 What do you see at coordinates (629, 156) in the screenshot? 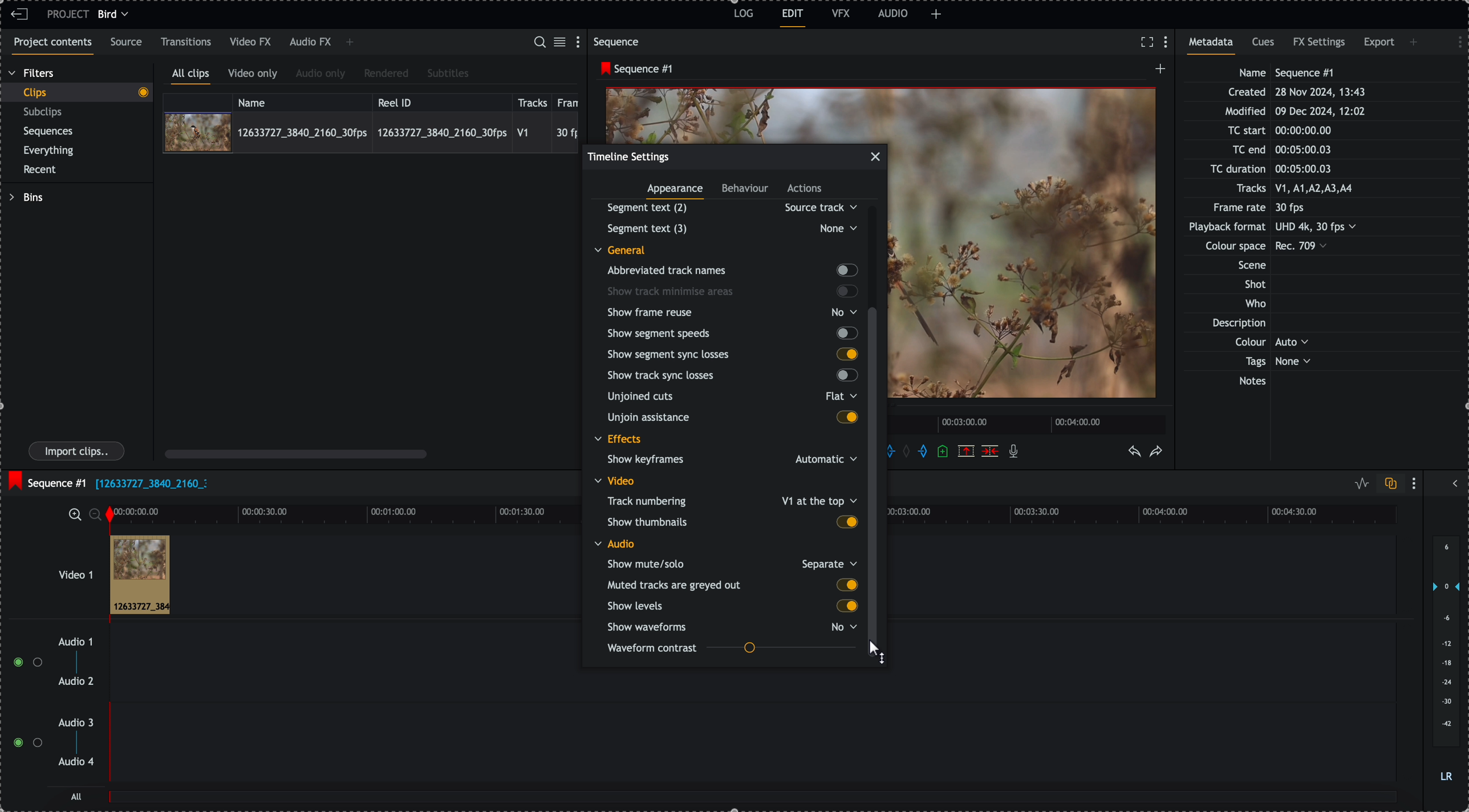
I see `timeline settings` at bounding box center [629, 156].